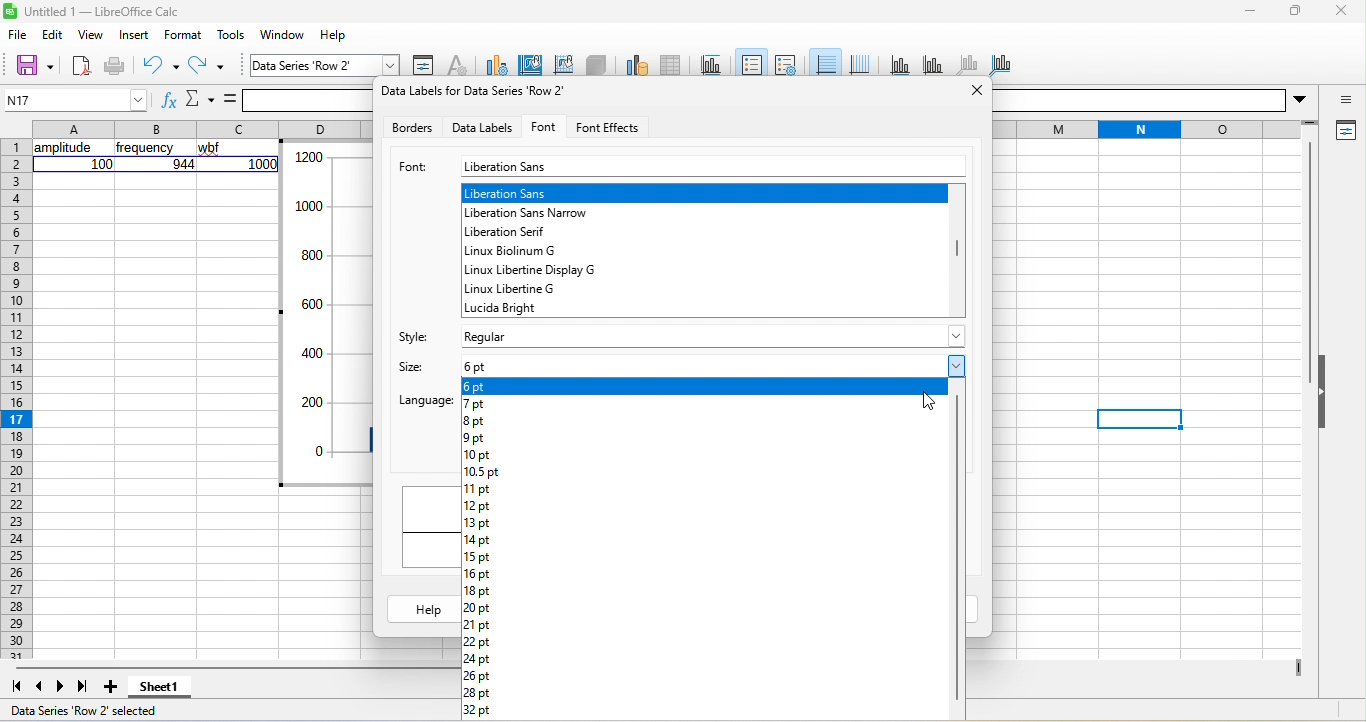  Describe the element at coordinates (1004, 63) in the screenshot. I see `all axes` at that location.